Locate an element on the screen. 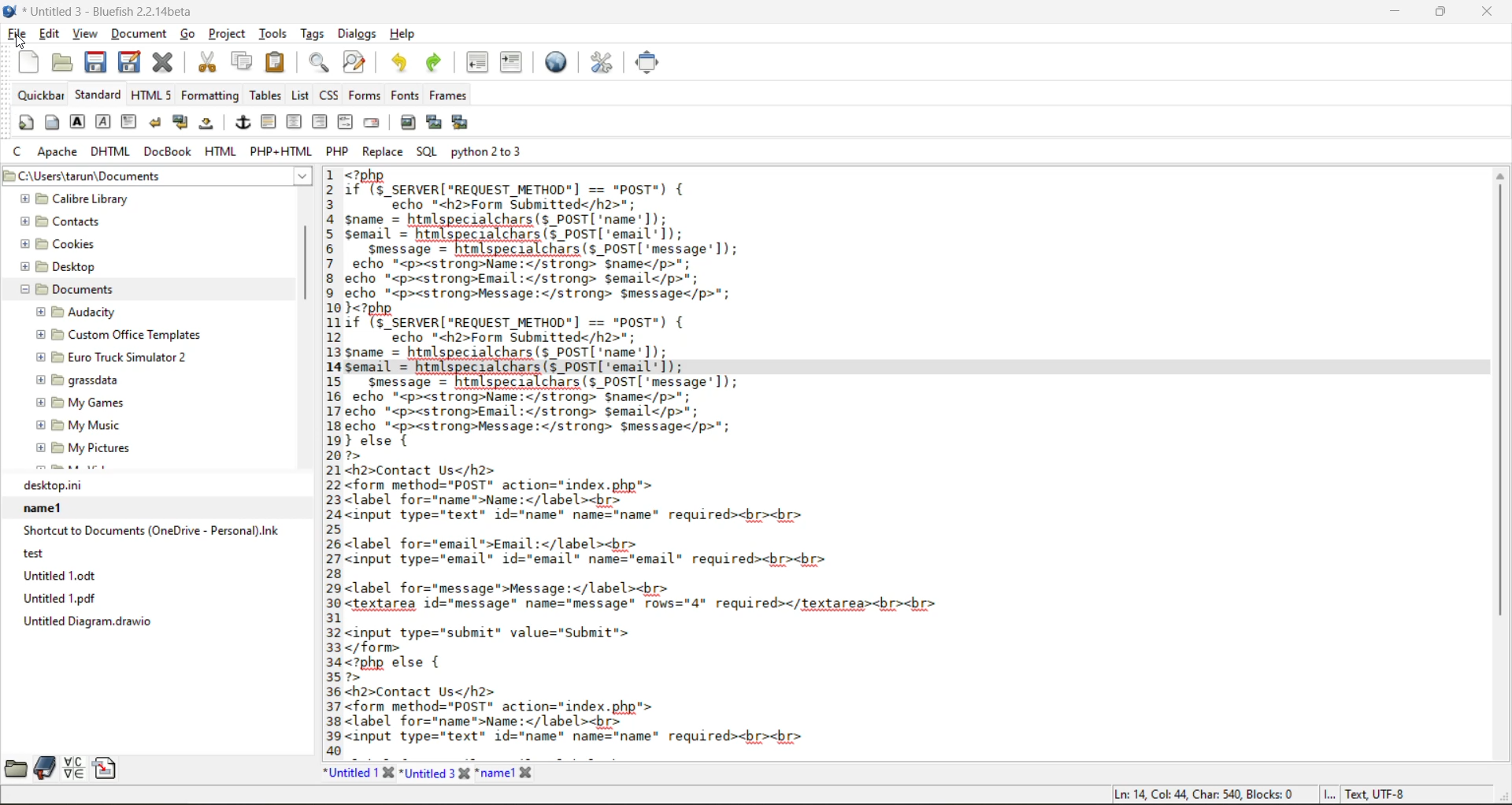 The height and width of the screenshot is (805, 1512). tables is located at coordinates (264, 95).